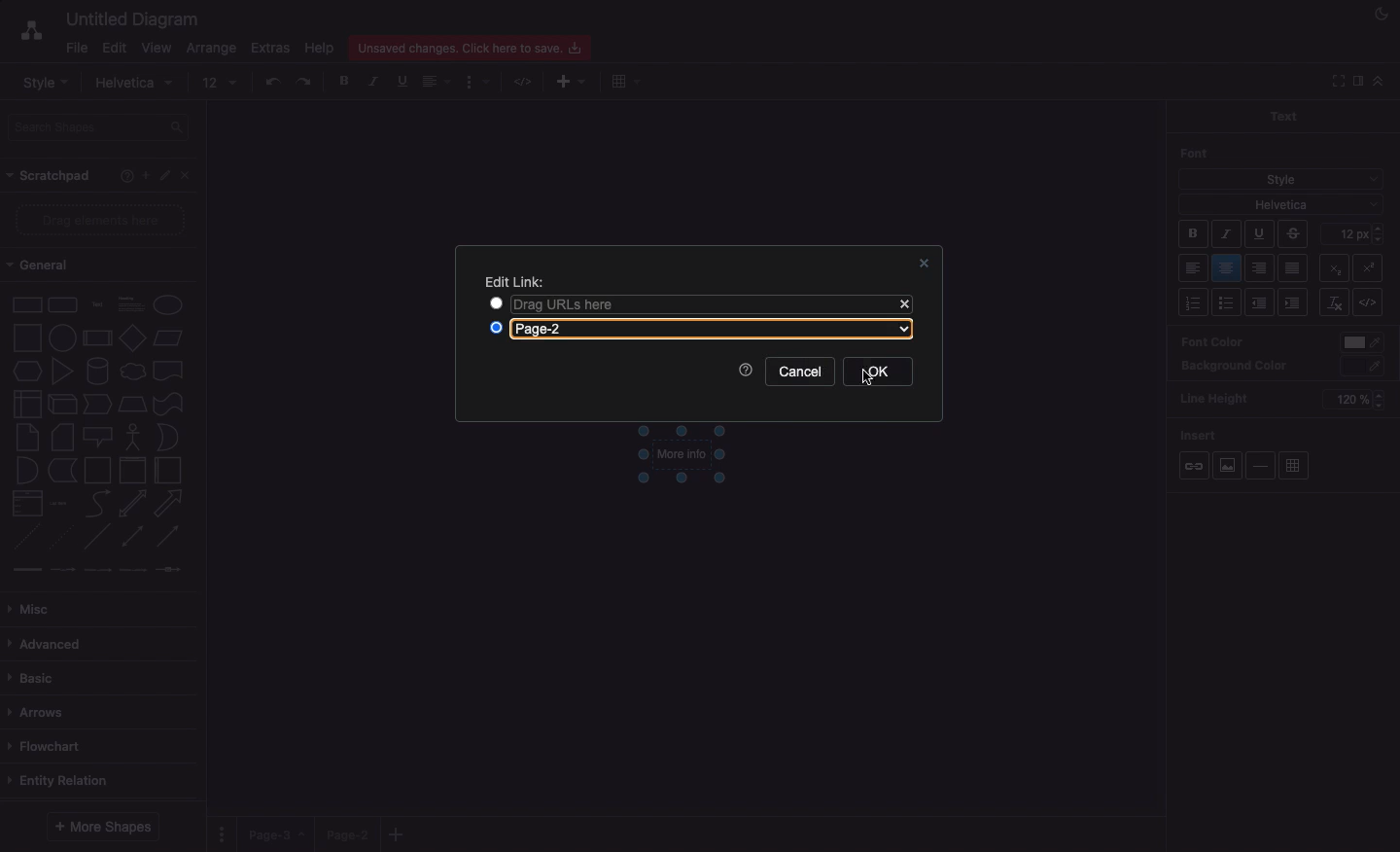  What do you see at coordinates (1194, 269) in the screenshot?
I see `Left aligned` at bounding box center [1194, 269].